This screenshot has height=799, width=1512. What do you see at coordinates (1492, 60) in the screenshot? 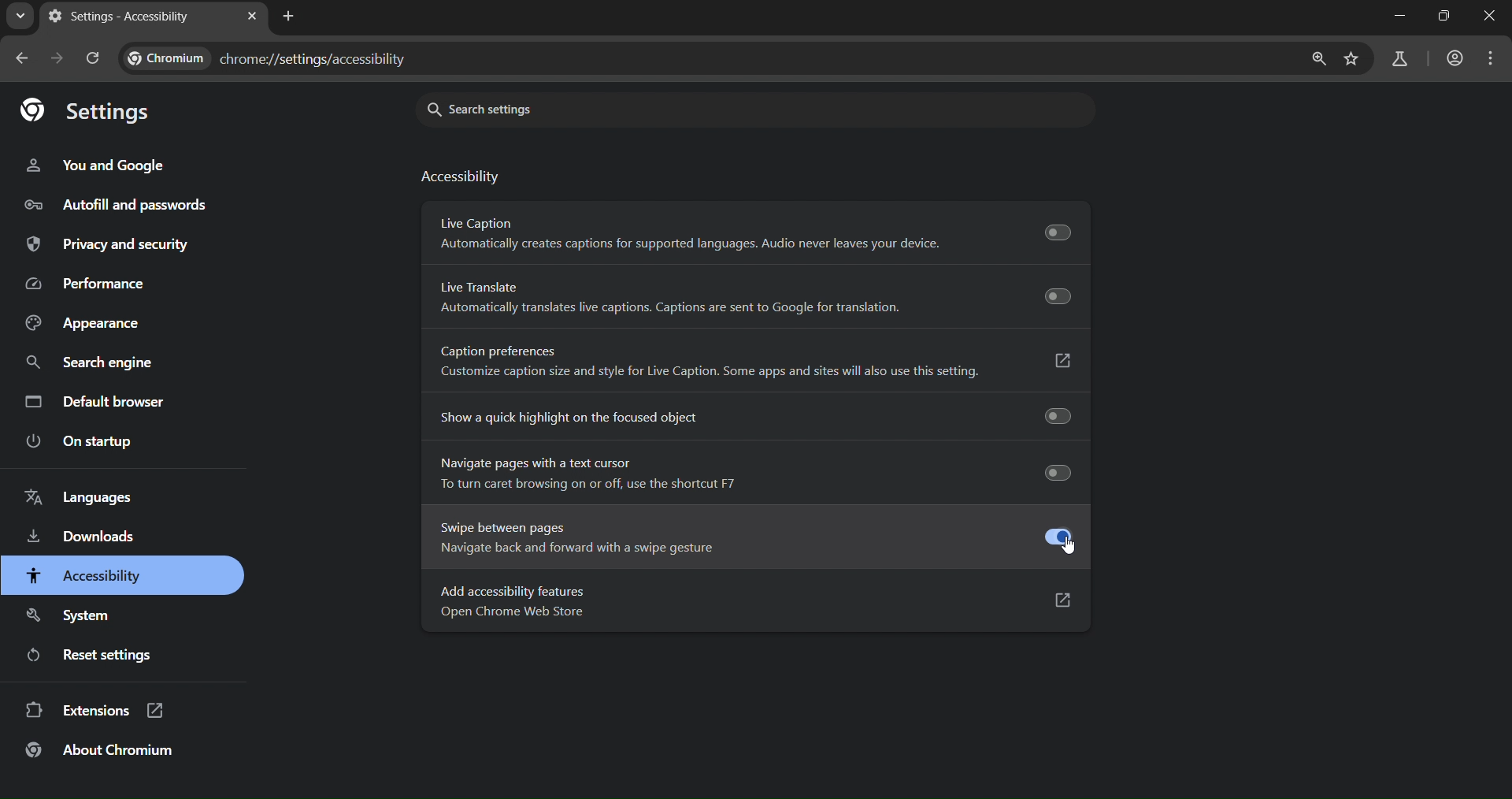
I see `menu` at bounding box center [1492, 60].